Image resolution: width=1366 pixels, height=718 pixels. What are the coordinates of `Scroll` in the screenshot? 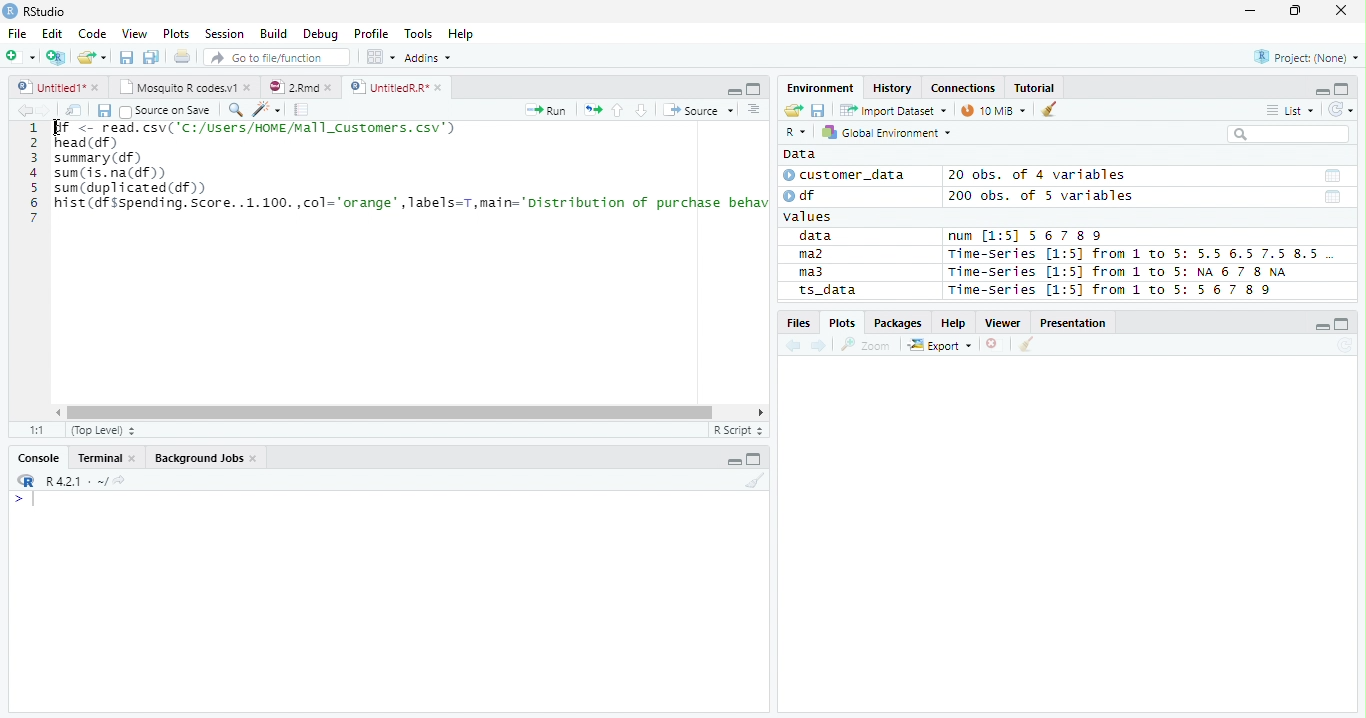 It's located at (407, 414).